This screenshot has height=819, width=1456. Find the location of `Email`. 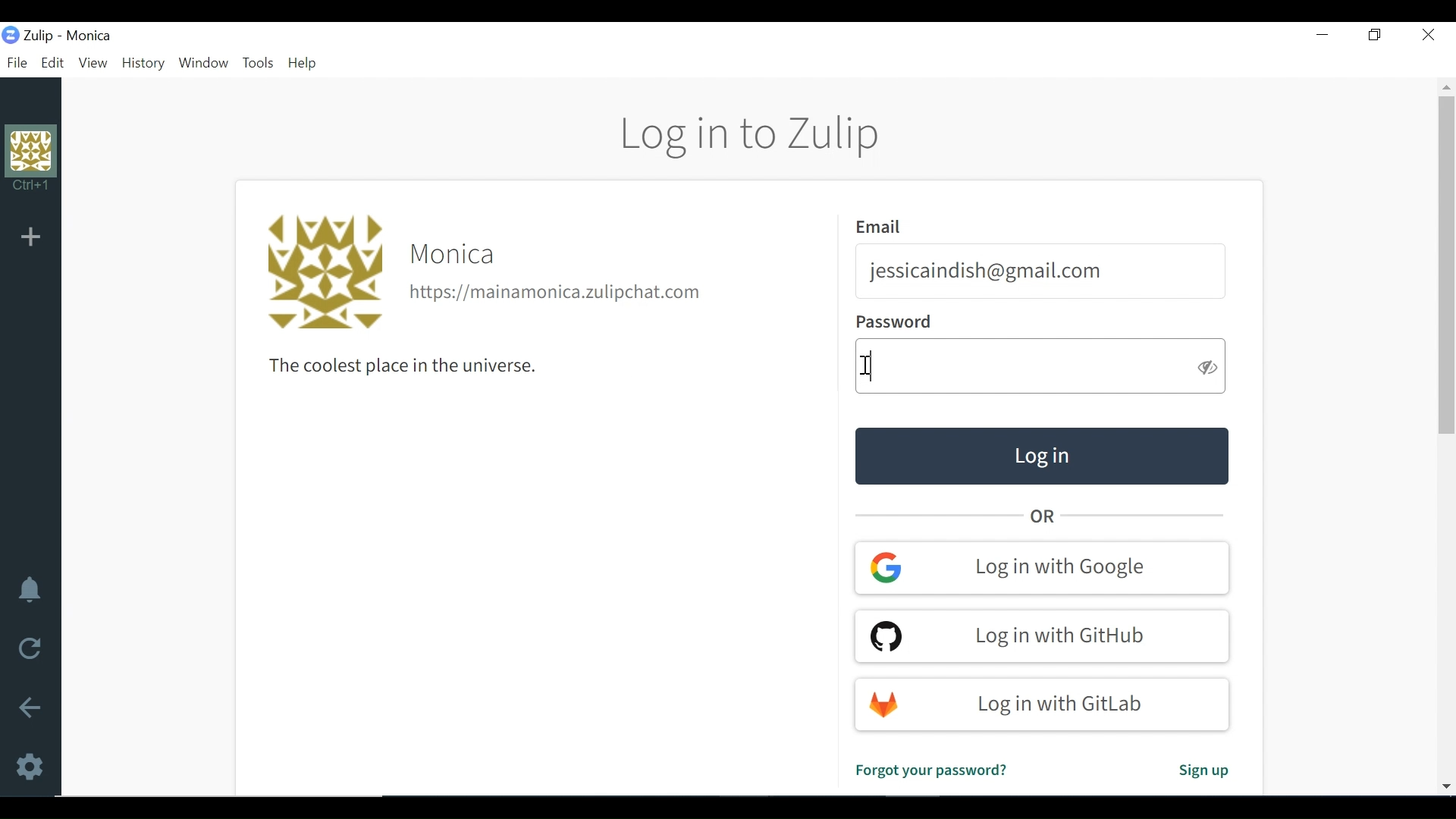

Email is located at coordinates (882, 227).